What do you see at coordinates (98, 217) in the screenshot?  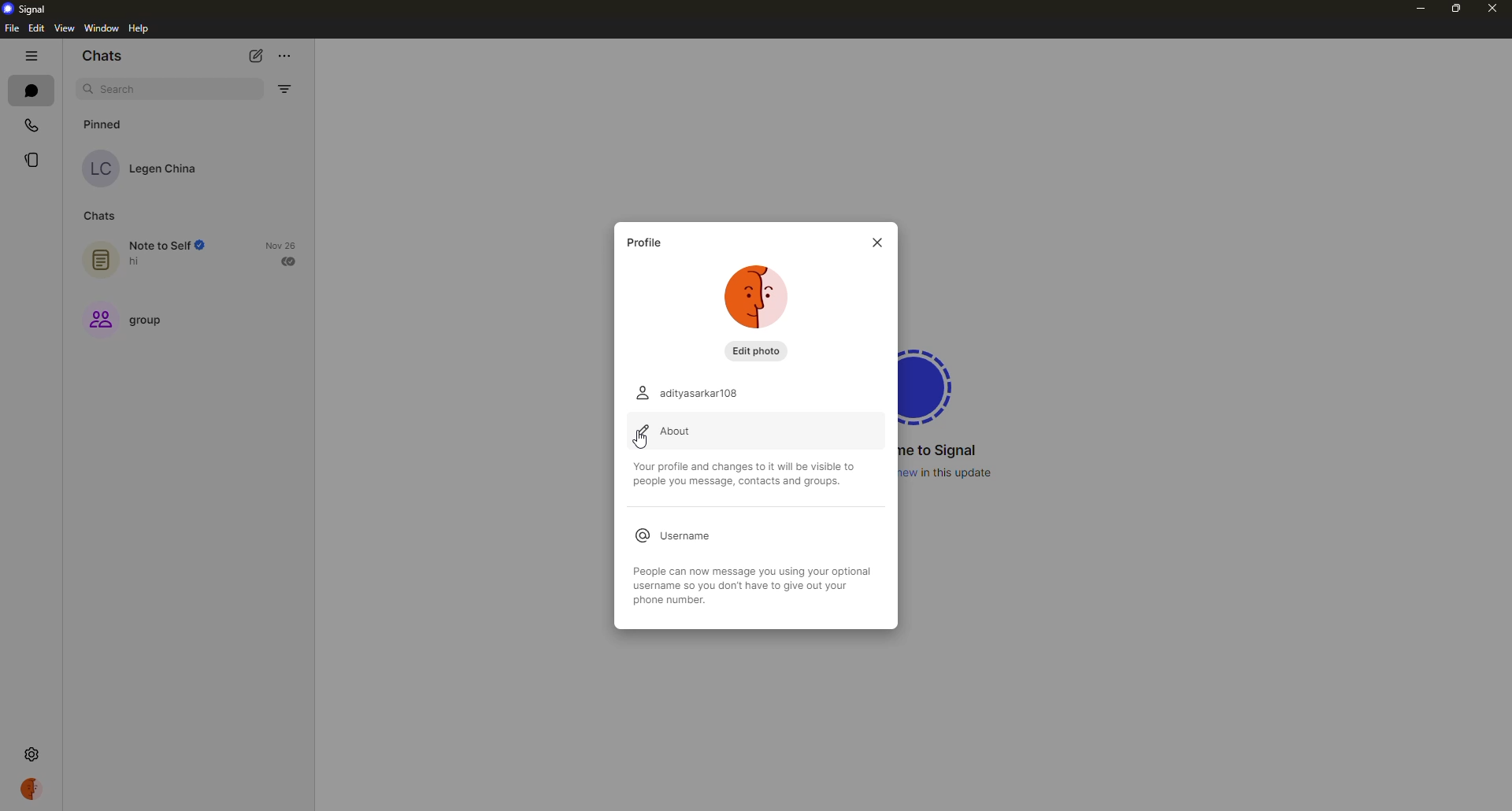 I see `chats` at bounding box center [98, 217].